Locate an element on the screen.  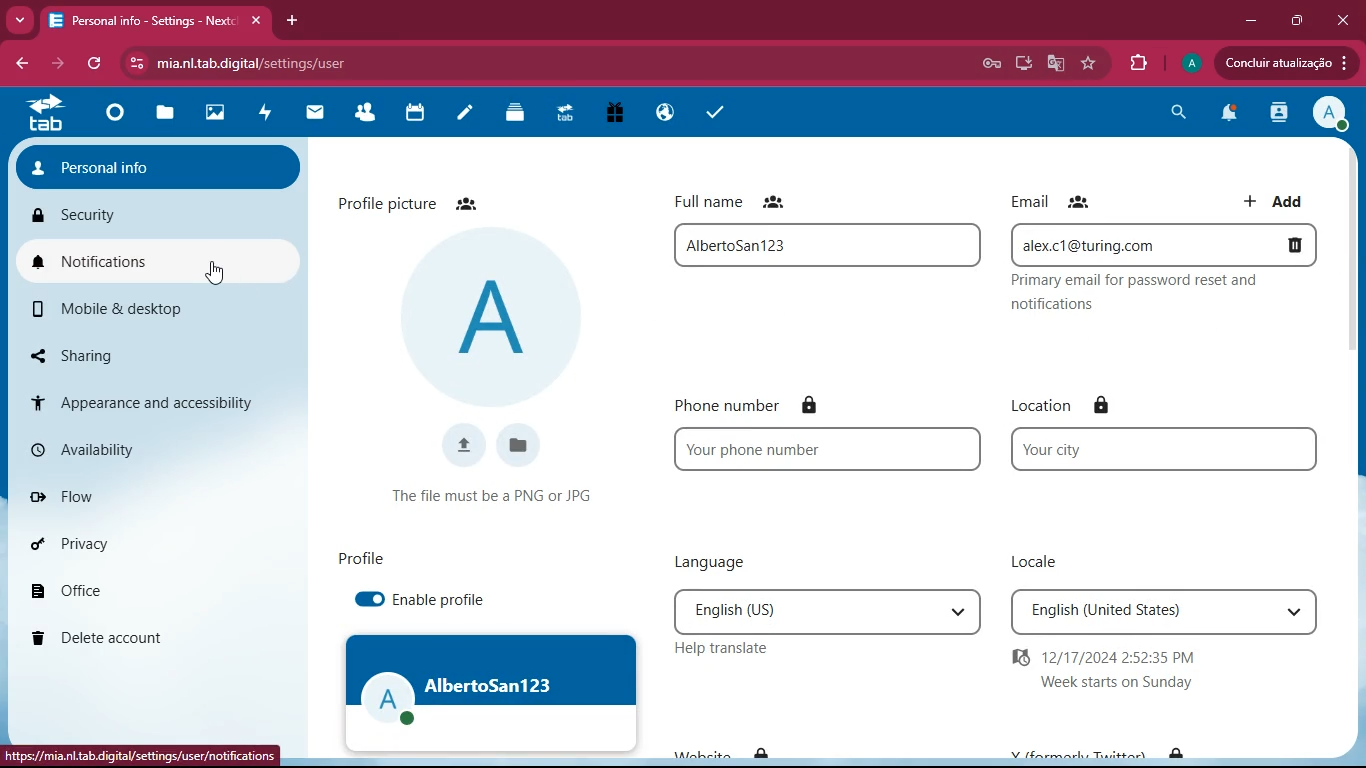
home is located at coordinates (115, 121).